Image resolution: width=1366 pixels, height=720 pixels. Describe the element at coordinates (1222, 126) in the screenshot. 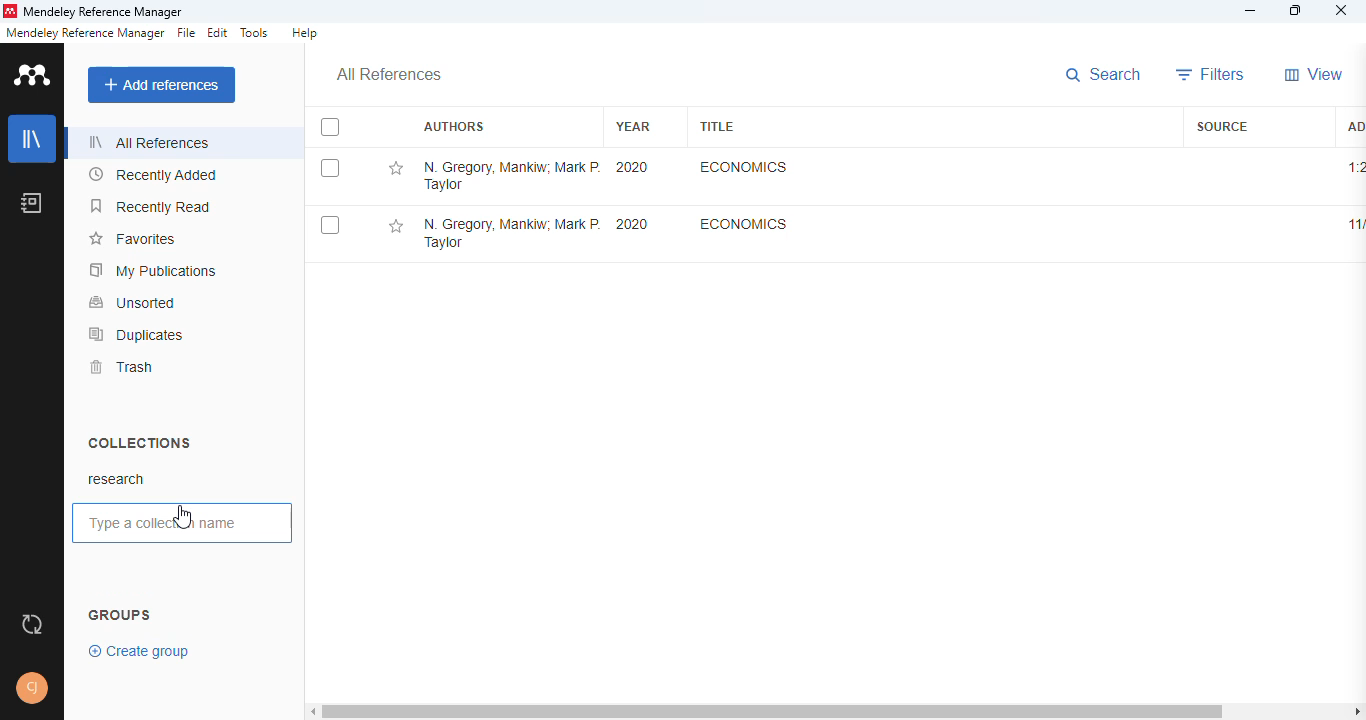

I see `source` at that location.